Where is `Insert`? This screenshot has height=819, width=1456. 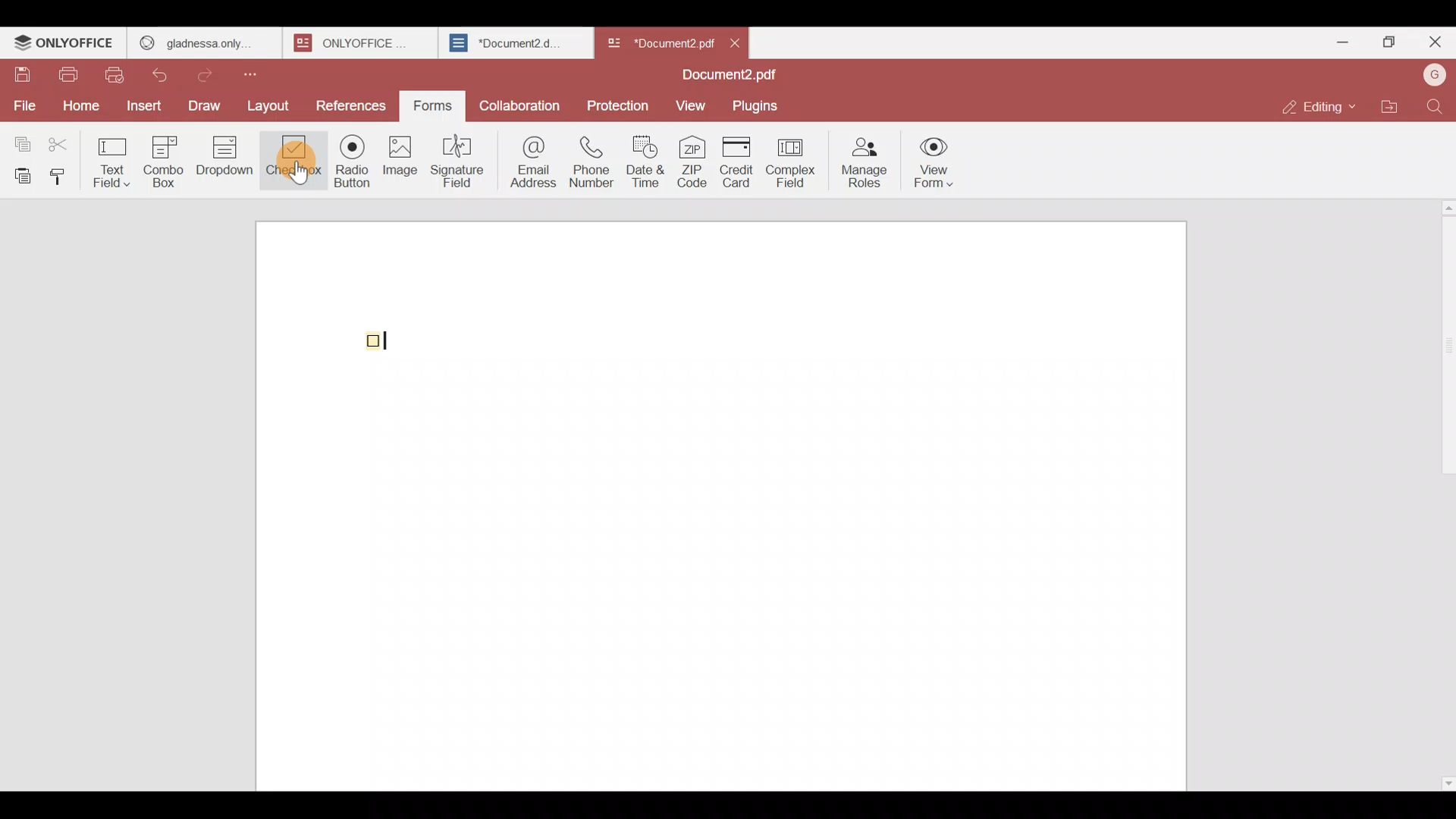 Insert is located at coordinates (142, 105).